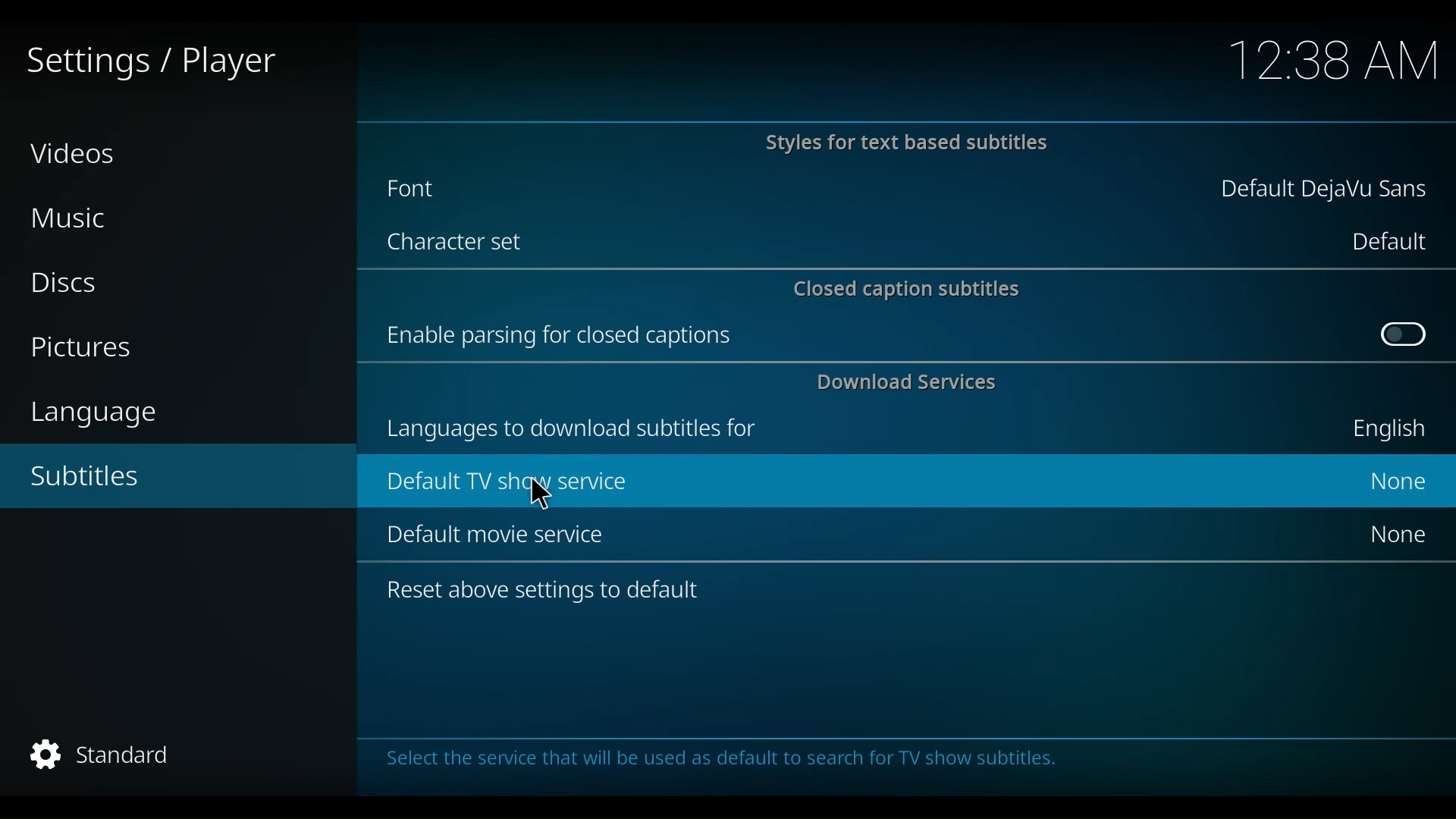 This screenshot has height=819, width=1456. I want to click on Enable parsing for closed captions, so click(563, 335).